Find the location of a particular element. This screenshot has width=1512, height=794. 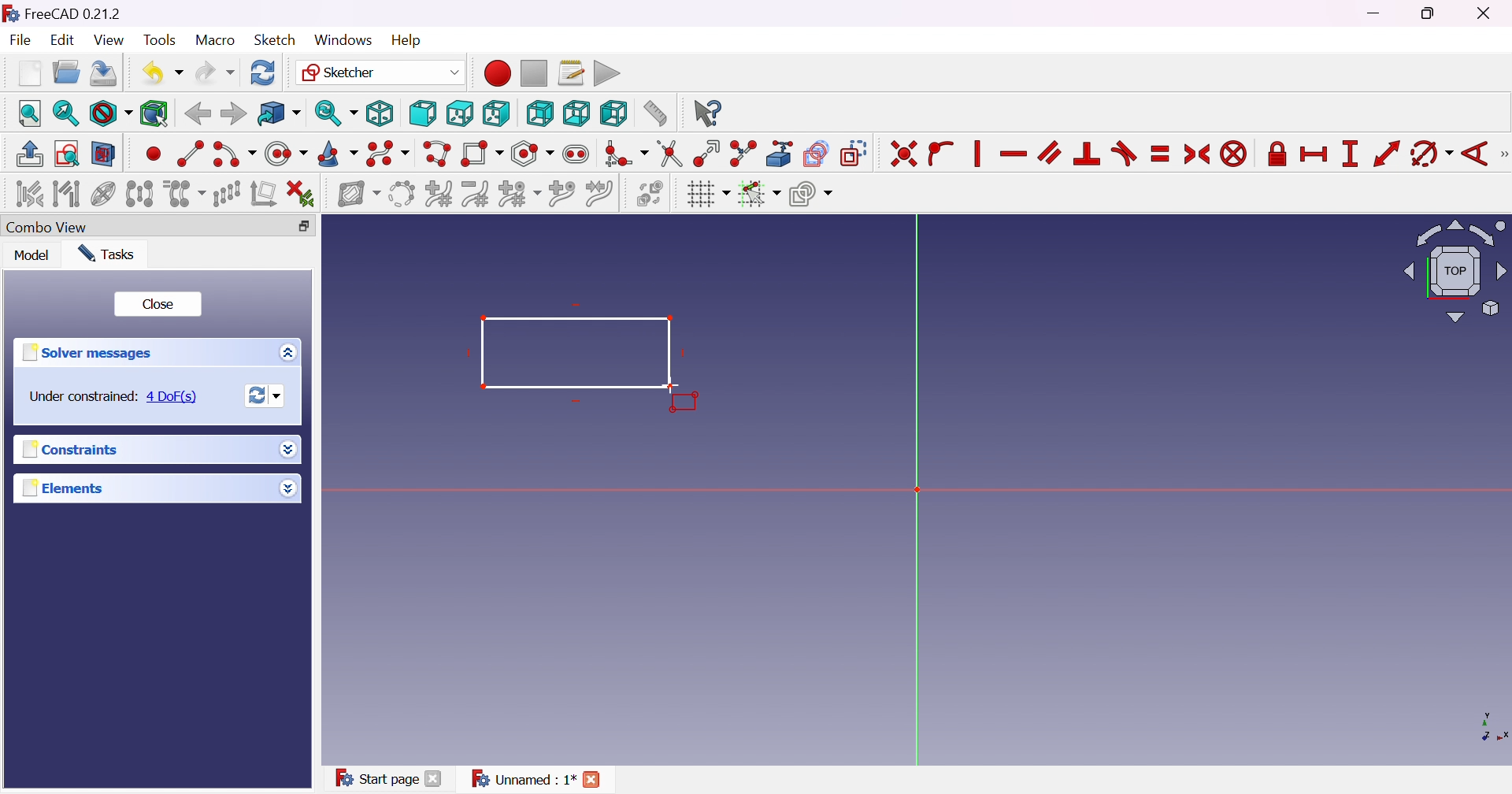

Constrain point onto object is located at coordinates (943, 155).